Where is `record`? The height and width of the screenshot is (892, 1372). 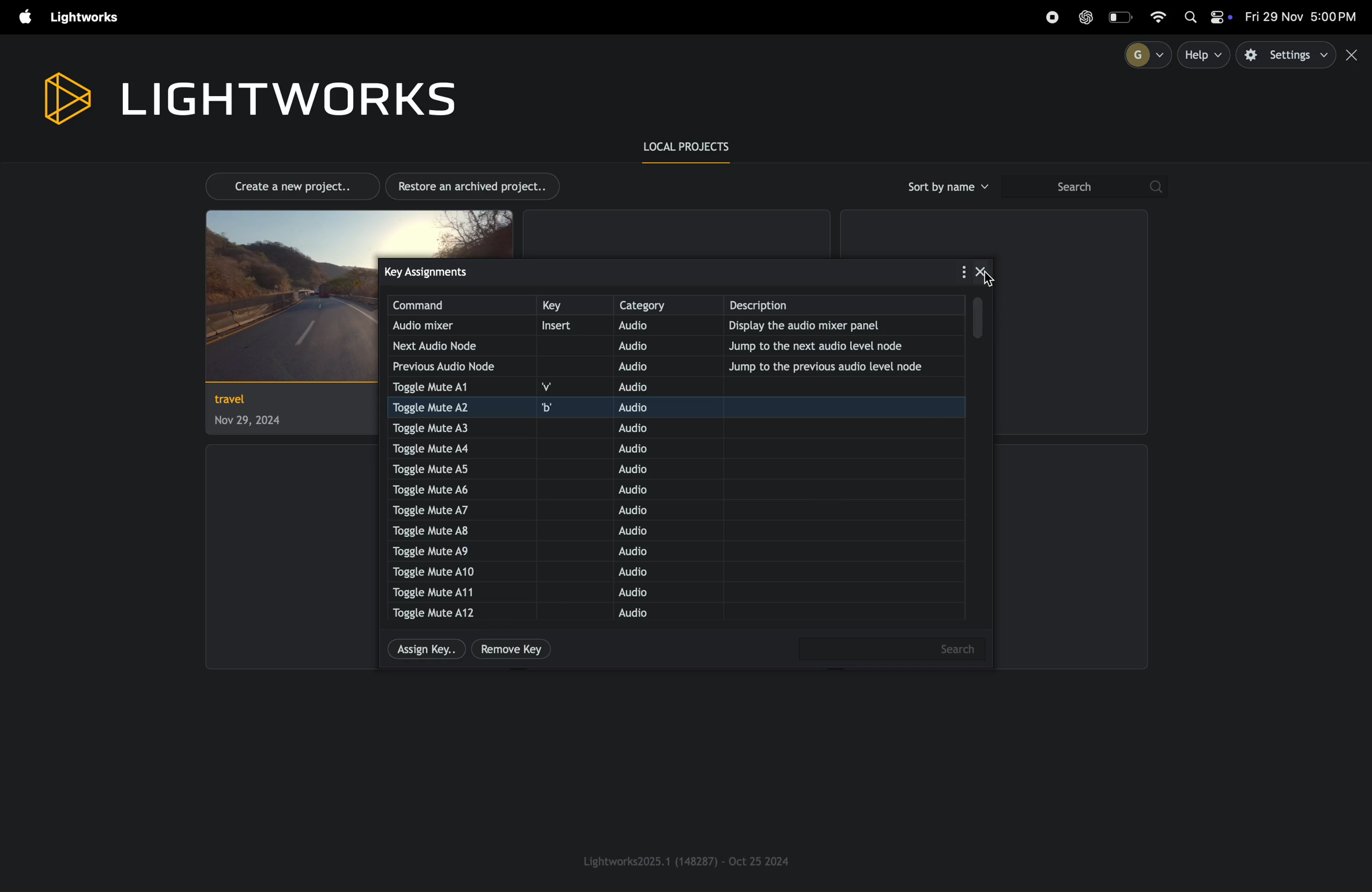
record is located at coordinates (1051, 17).